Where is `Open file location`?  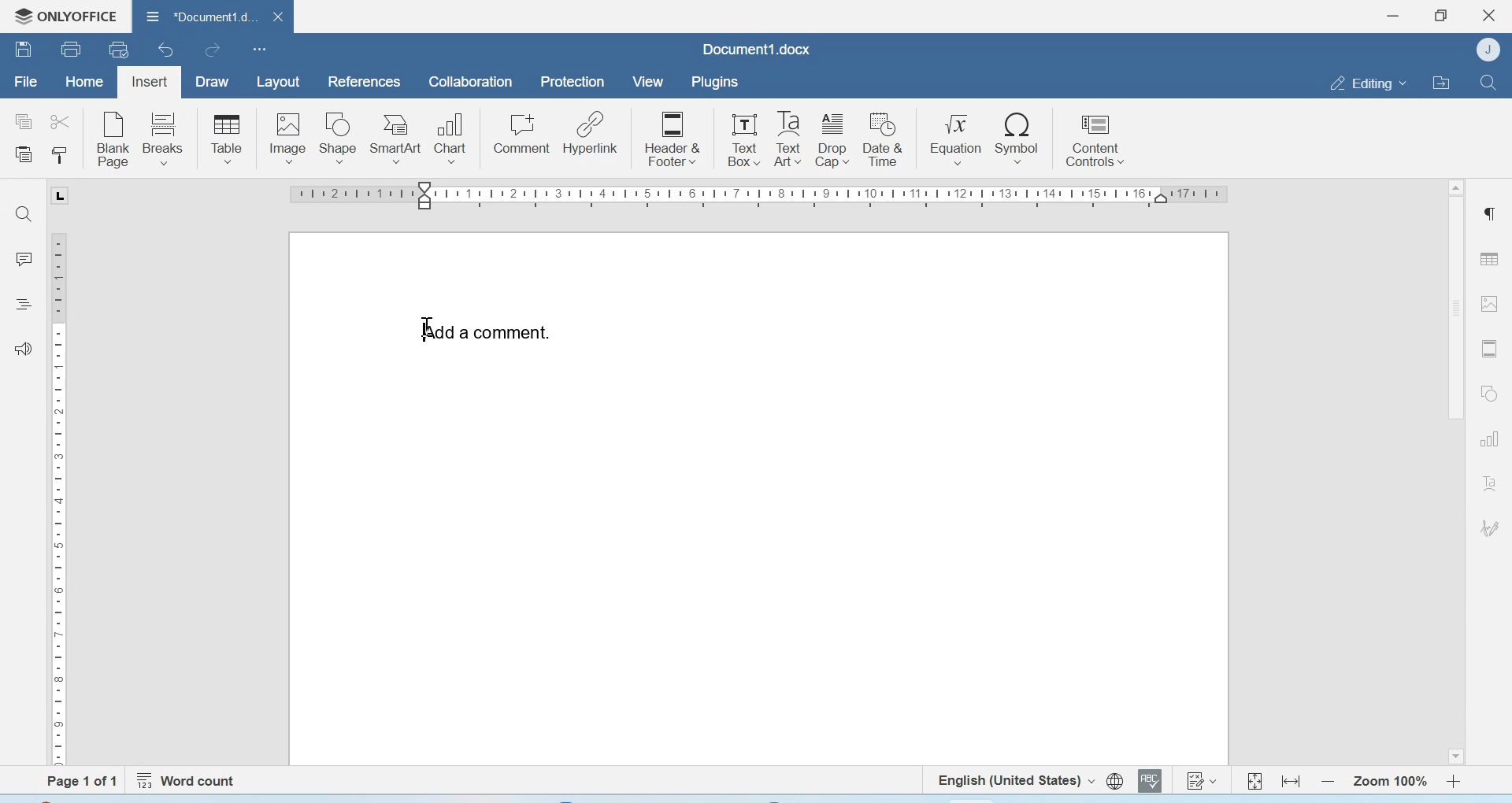 Open file location is located at coordinates (1441, 82).